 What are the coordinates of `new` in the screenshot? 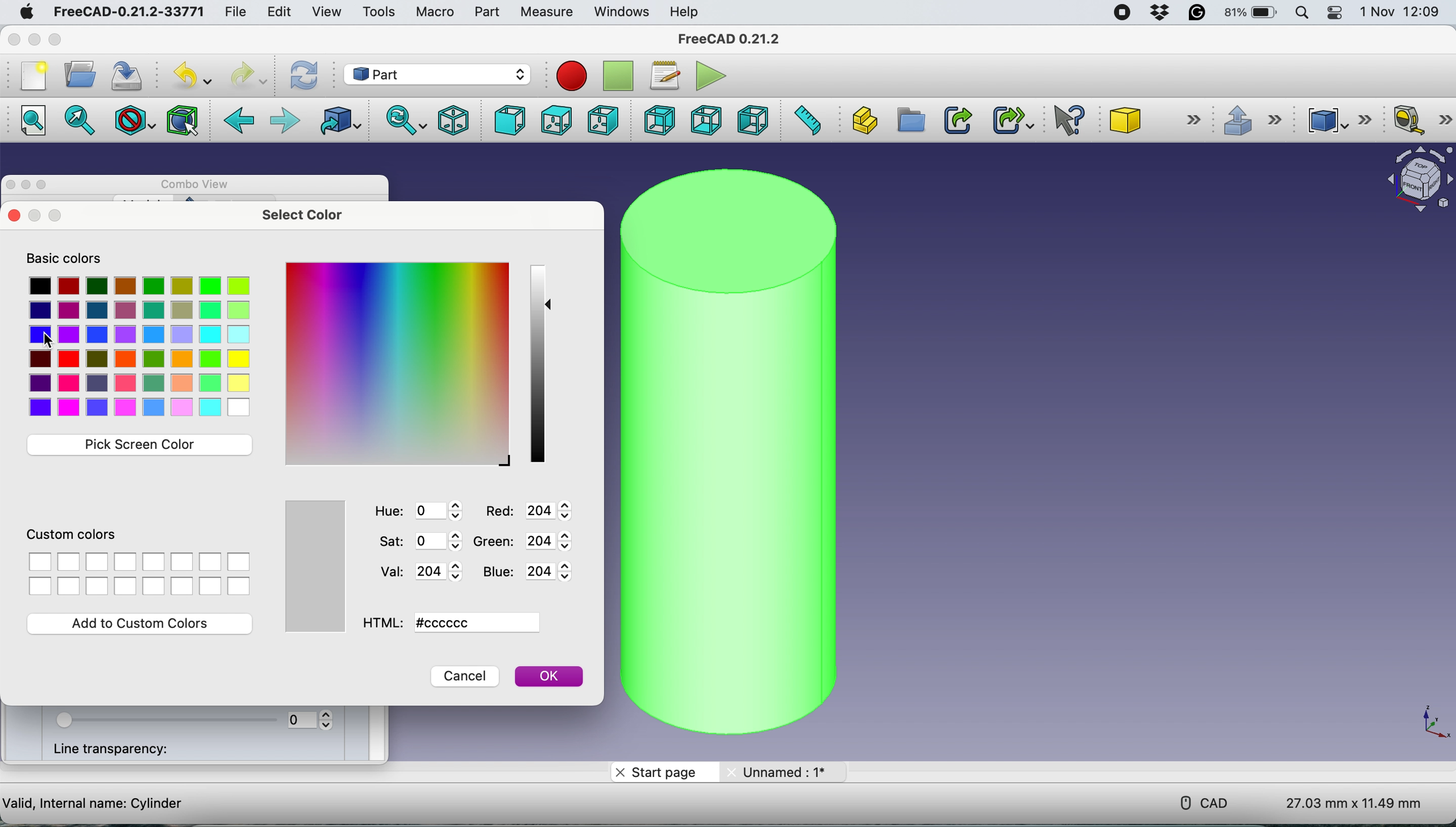 It's located at (33, 78).